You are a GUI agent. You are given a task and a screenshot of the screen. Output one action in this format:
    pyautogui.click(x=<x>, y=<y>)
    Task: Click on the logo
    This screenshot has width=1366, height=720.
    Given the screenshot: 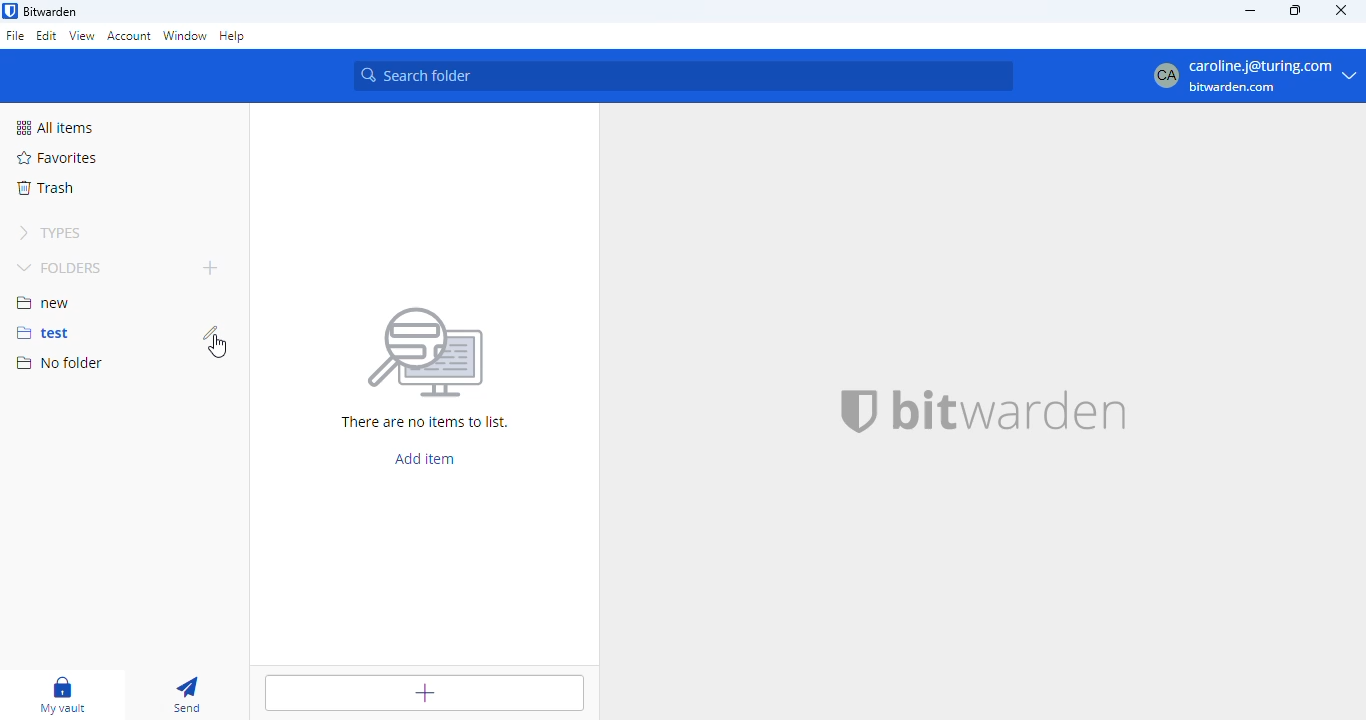 What is the action you would take?
    pyautogui.click(x=10, y=11)
    